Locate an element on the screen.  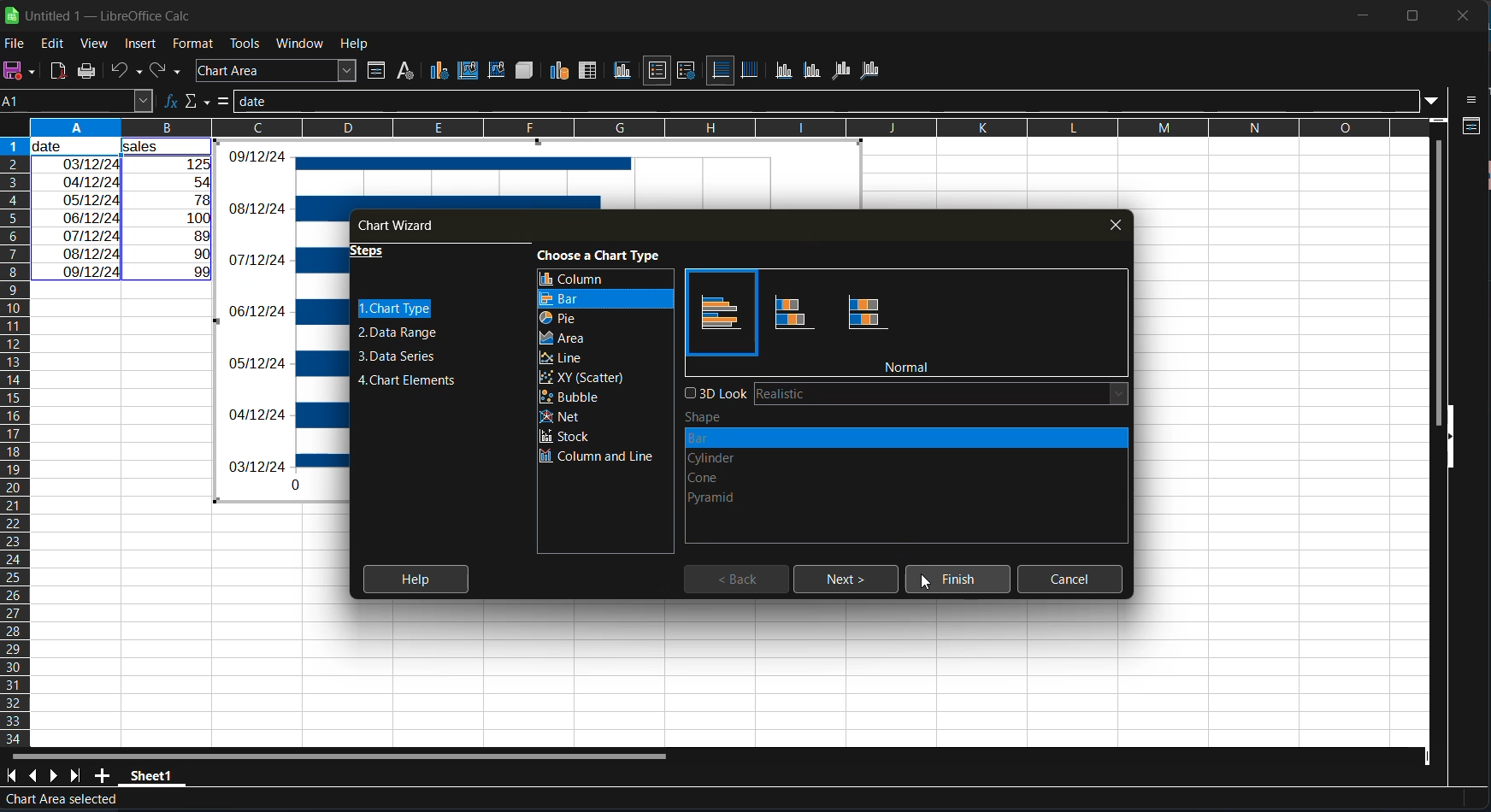
3d view is located at coordinates (524, 70).